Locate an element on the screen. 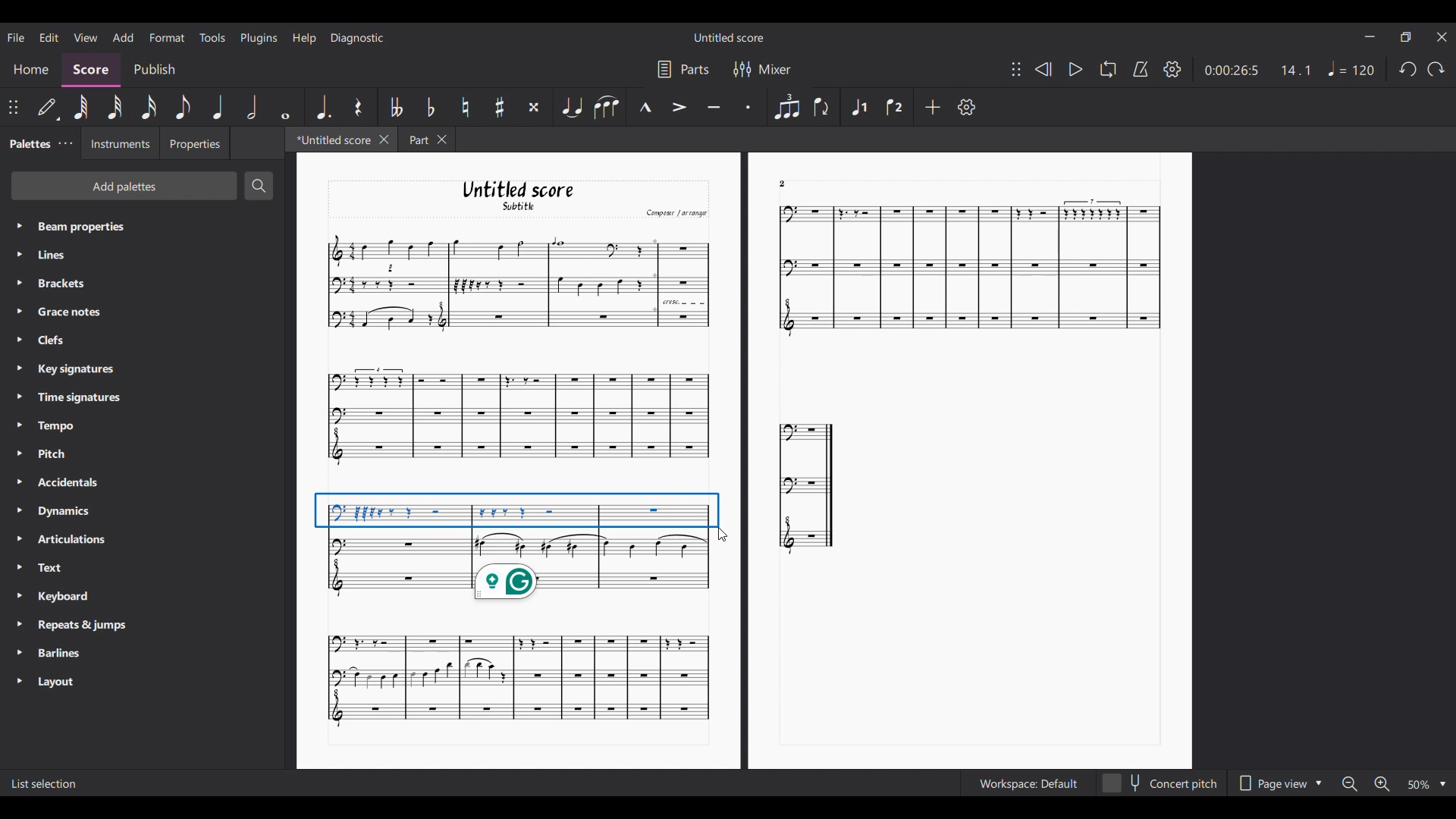 This screenshot has height=819, width=1456. Settings is located at coordinates (1172, 69).